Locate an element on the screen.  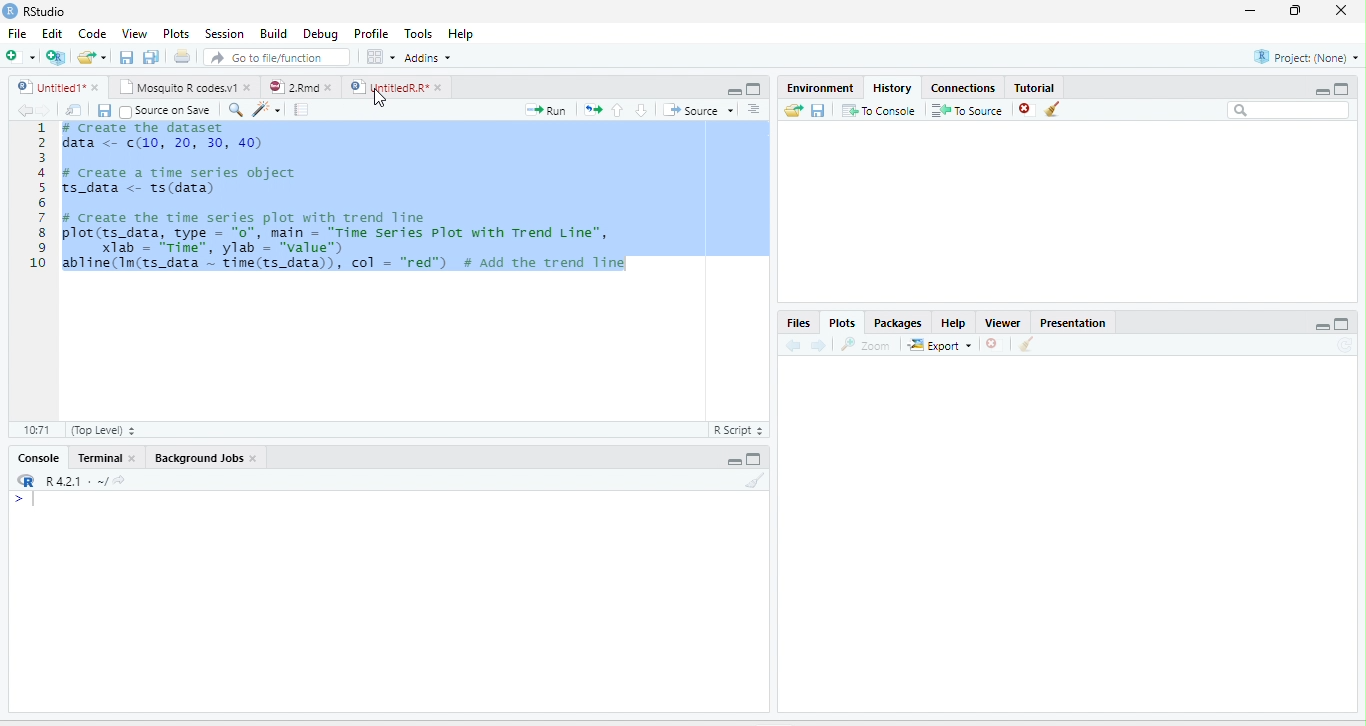
close is located at coordinates (254, 458).